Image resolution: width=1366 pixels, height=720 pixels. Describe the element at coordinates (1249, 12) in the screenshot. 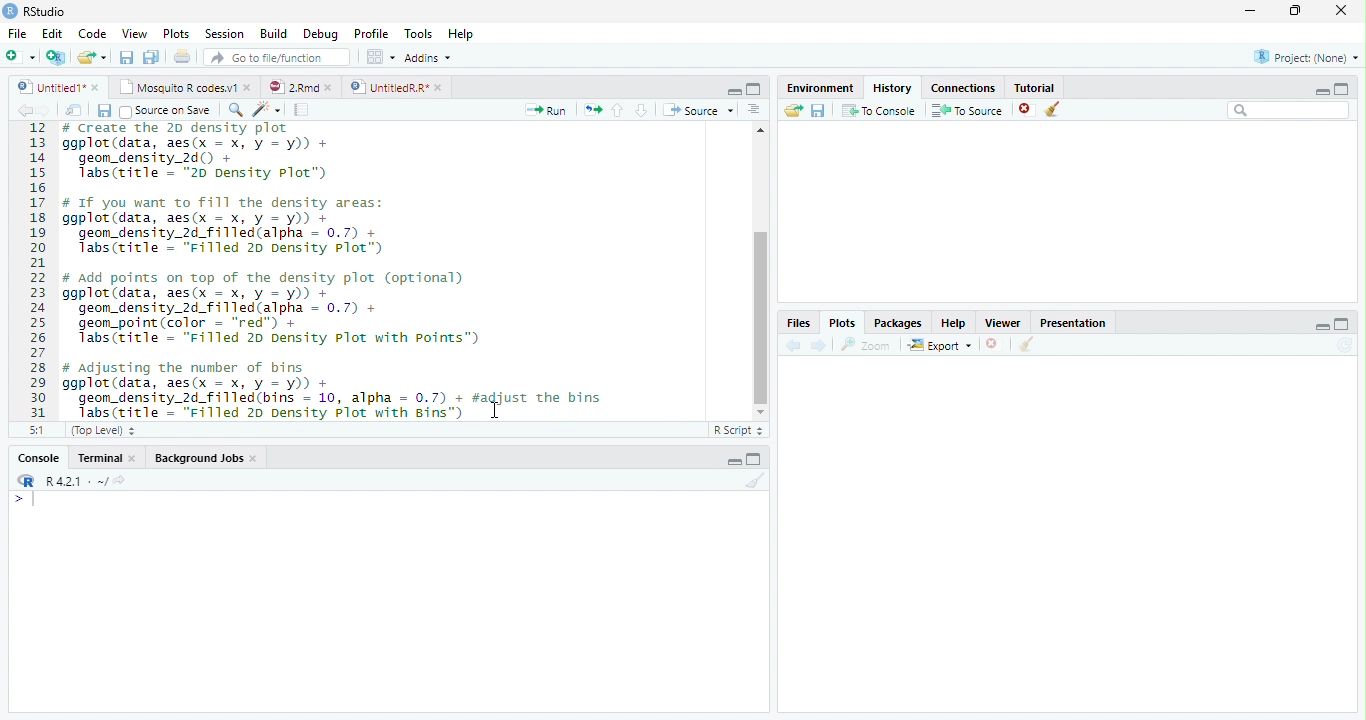

I see `minimize` at that location.